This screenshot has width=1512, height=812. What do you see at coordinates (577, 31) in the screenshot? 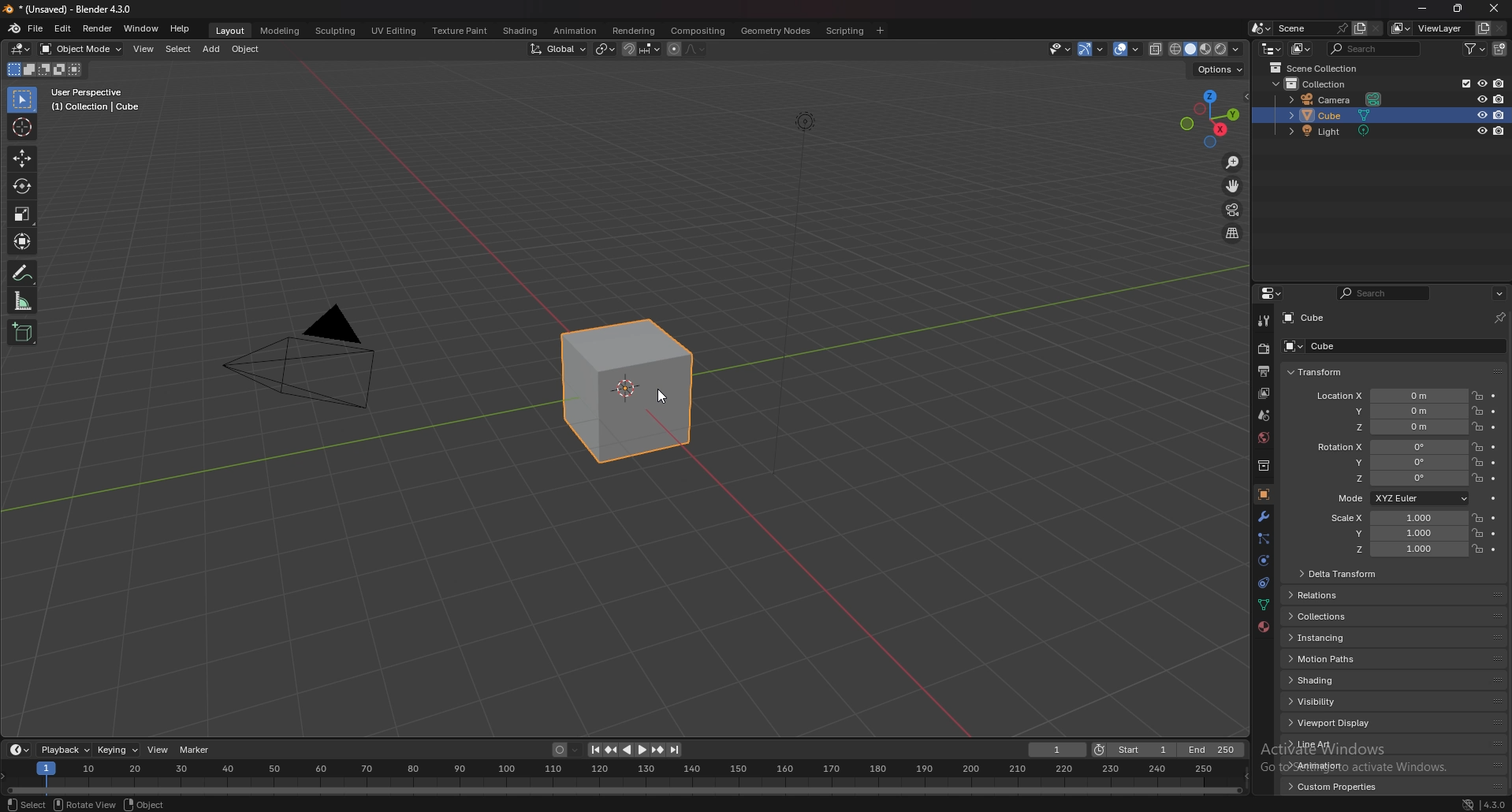
I see `animation` at bounding box center [577, 31].